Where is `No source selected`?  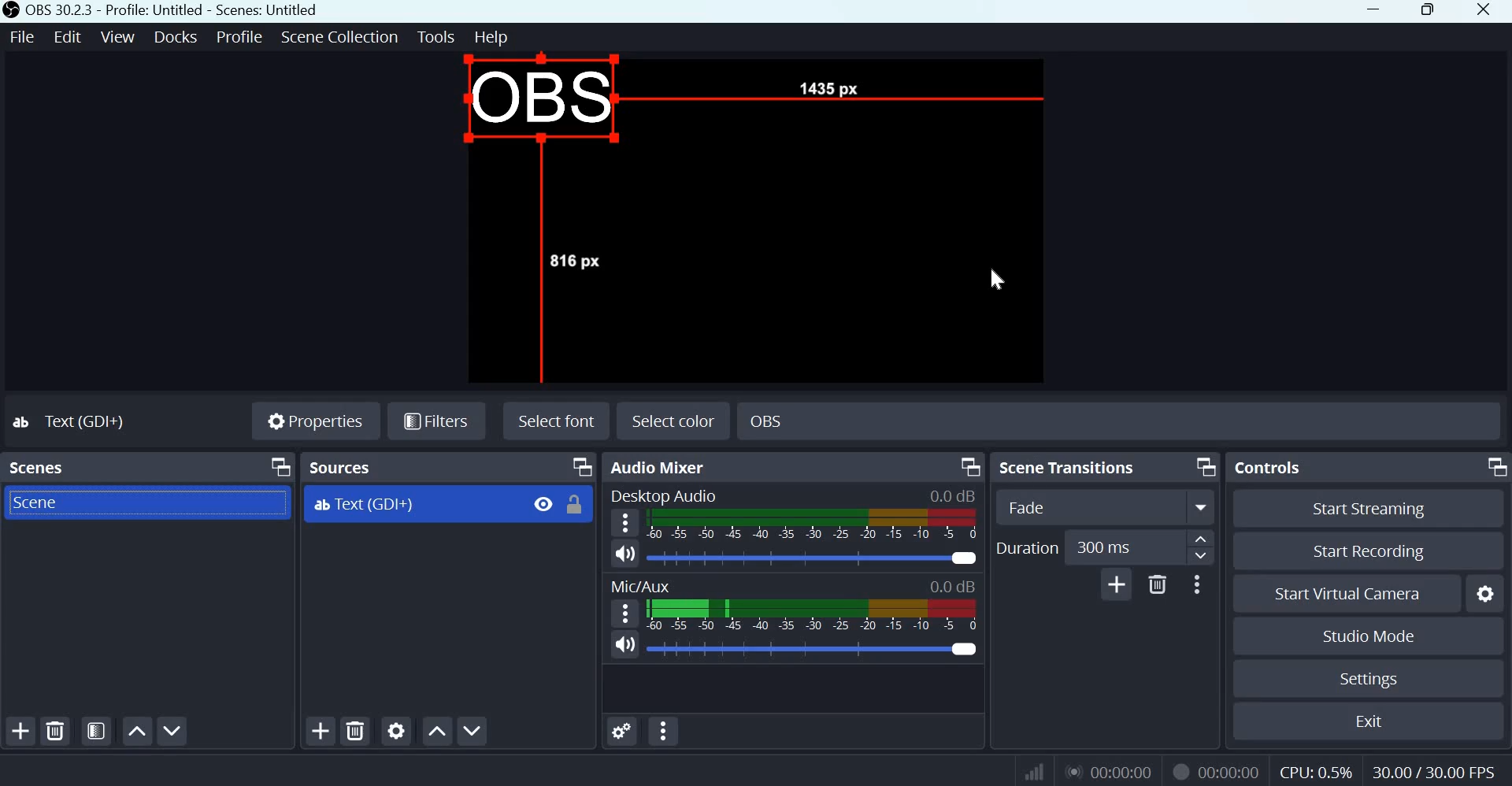
No source selected is located at coordinates (83, 421).